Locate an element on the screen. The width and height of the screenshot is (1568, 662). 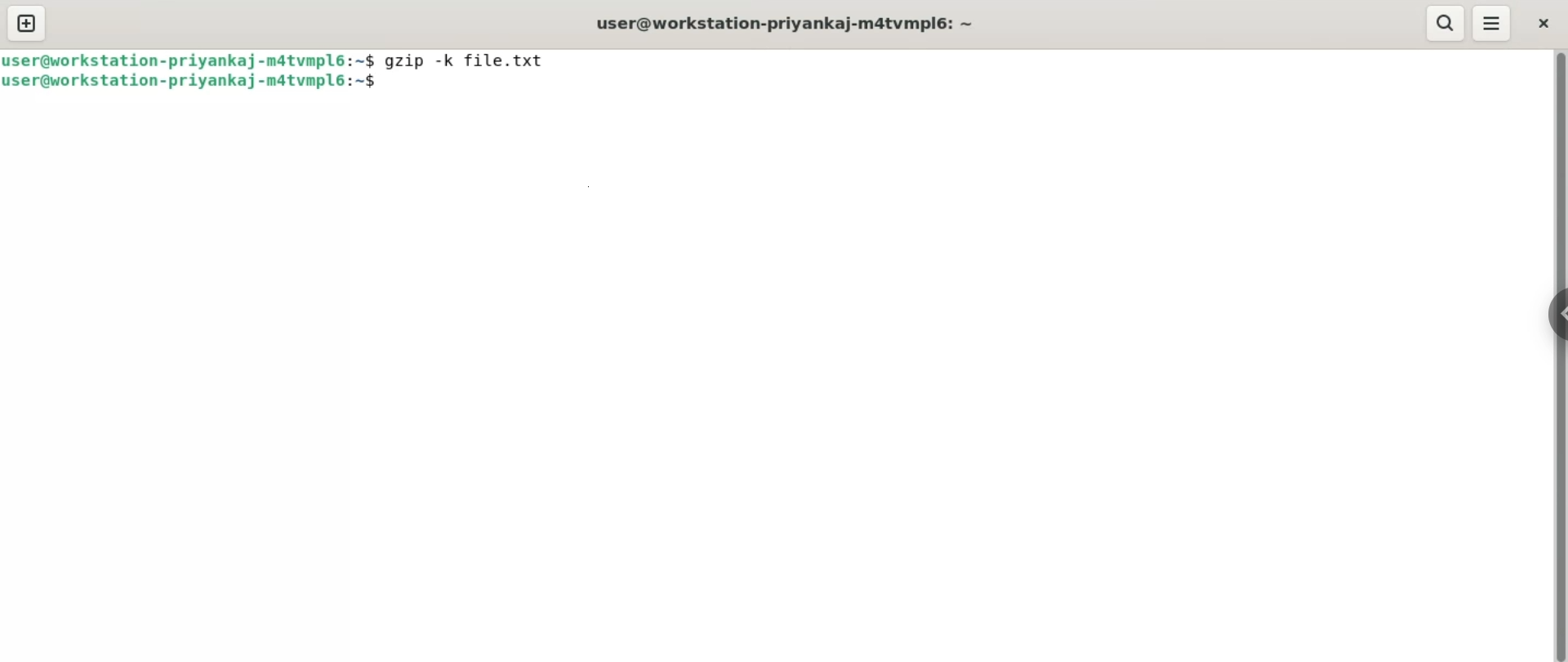
new tab is located at coordinates (28, 25).